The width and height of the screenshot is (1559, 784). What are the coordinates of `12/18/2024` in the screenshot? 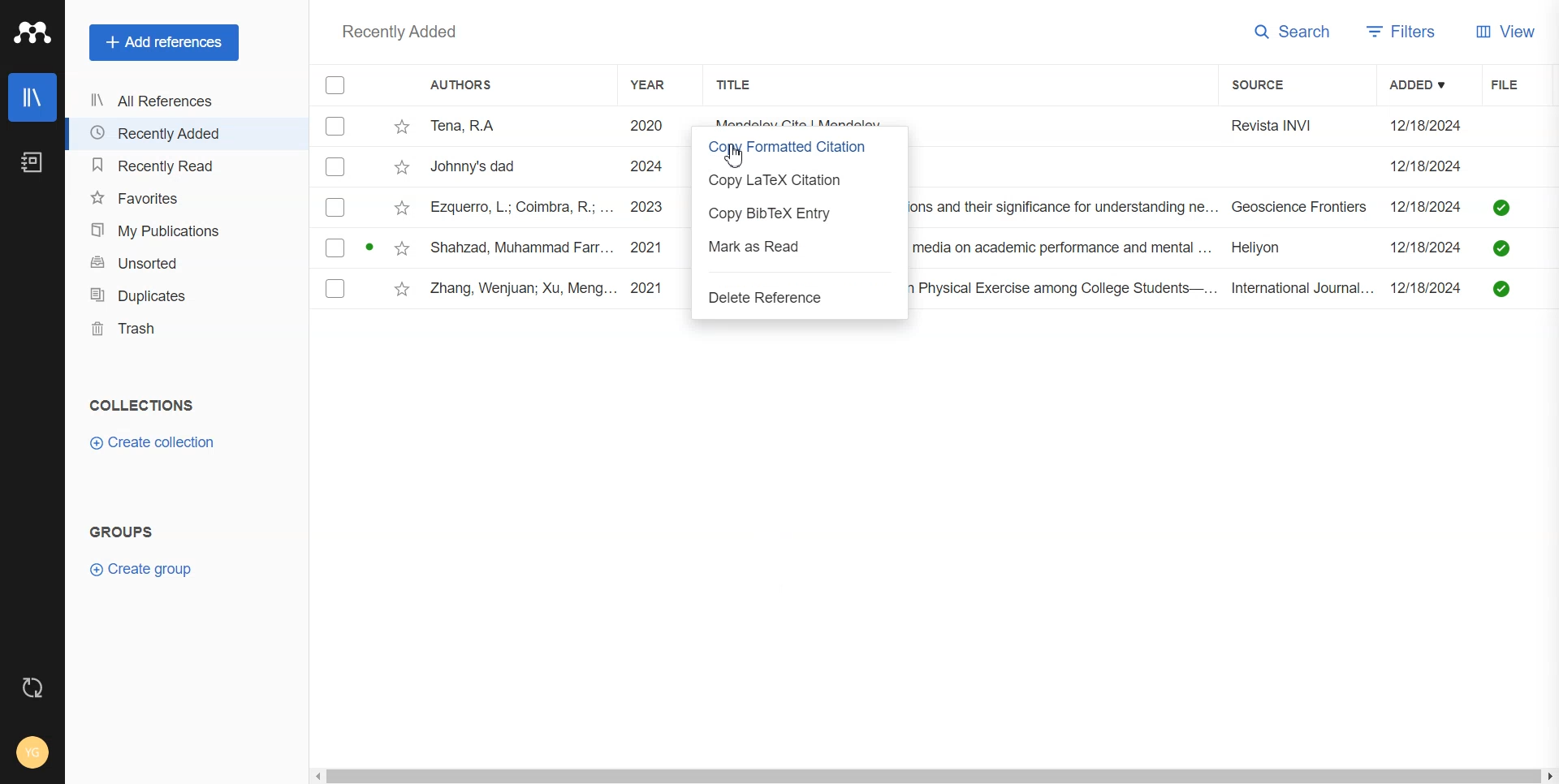 It's located at (1431, 245).